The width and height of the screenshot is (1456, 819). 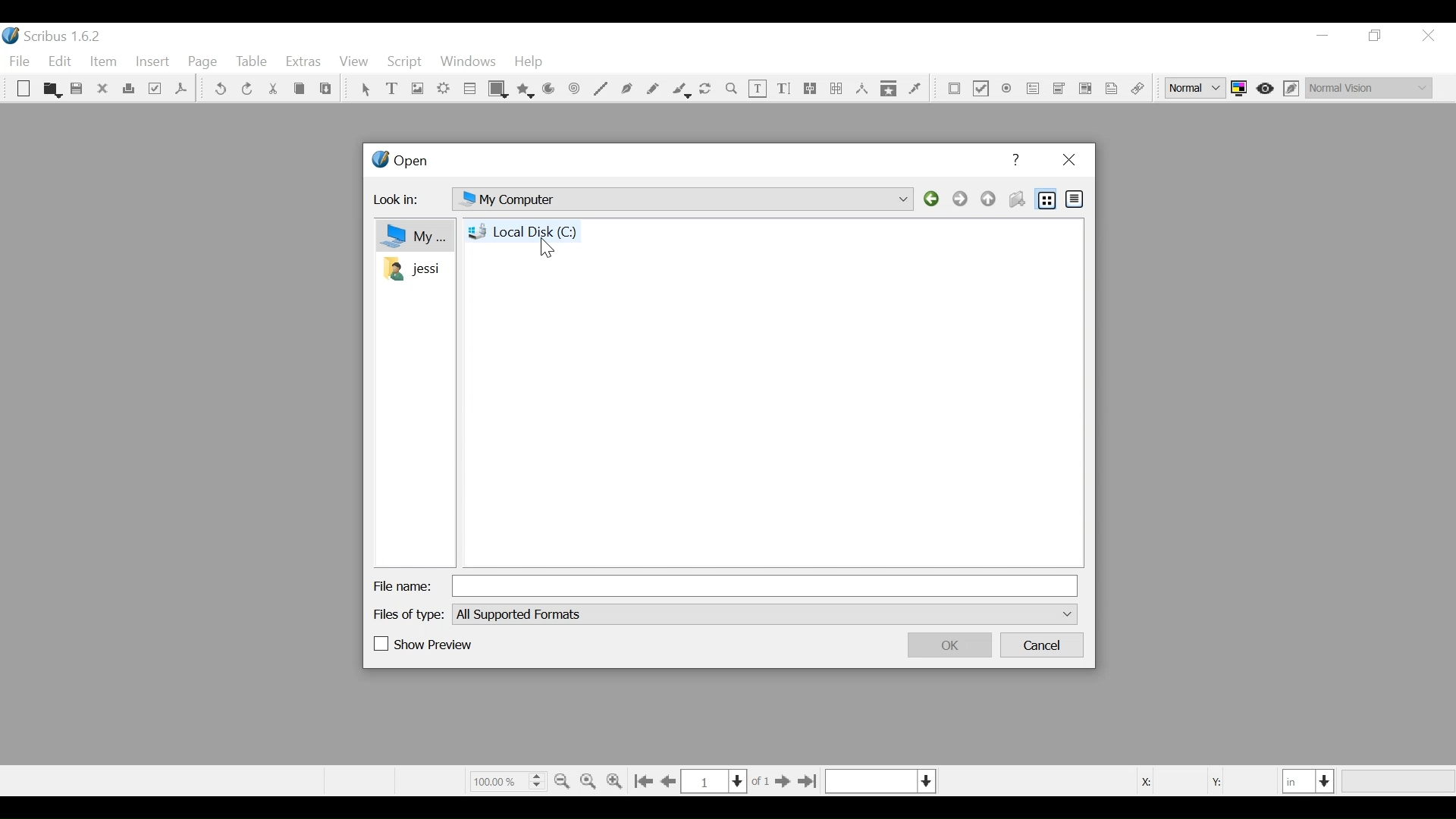 What do you see at coordinates (1376, 36) in the screenshot?
I see `Restore` at bounding box center [1376, 36].